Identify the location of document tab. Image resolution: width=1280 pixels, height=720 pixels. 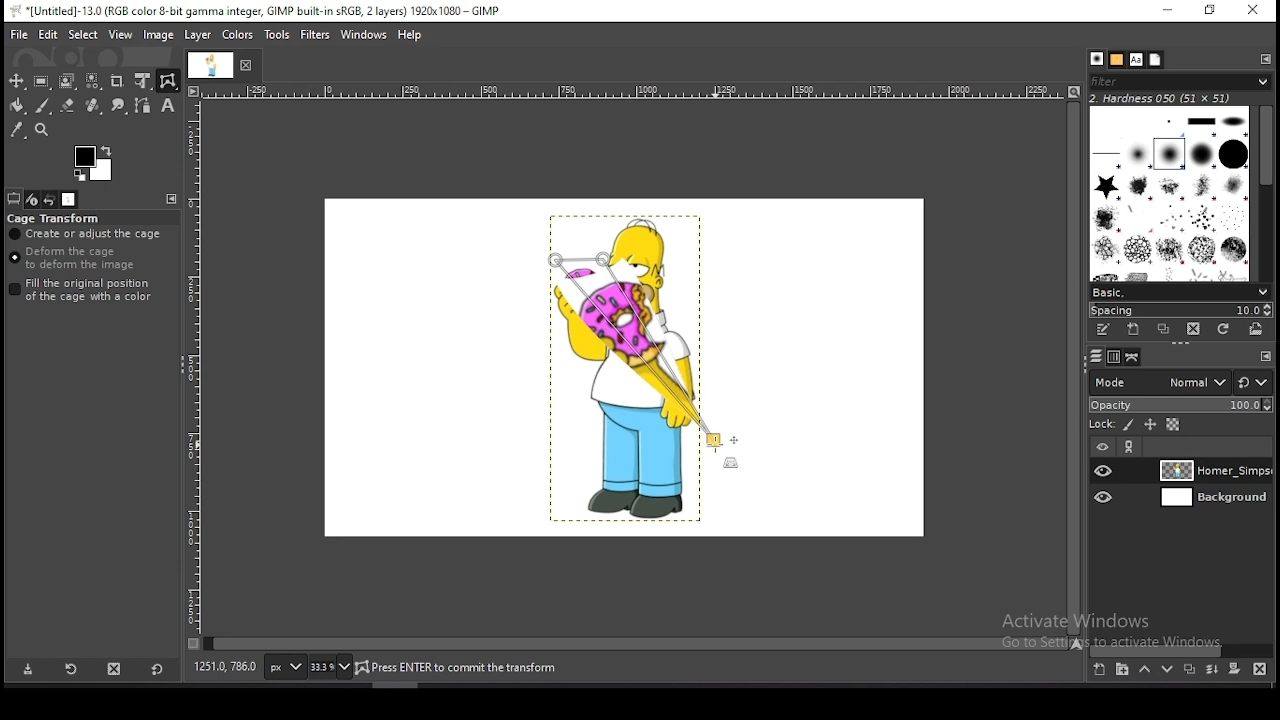
(213, 66).